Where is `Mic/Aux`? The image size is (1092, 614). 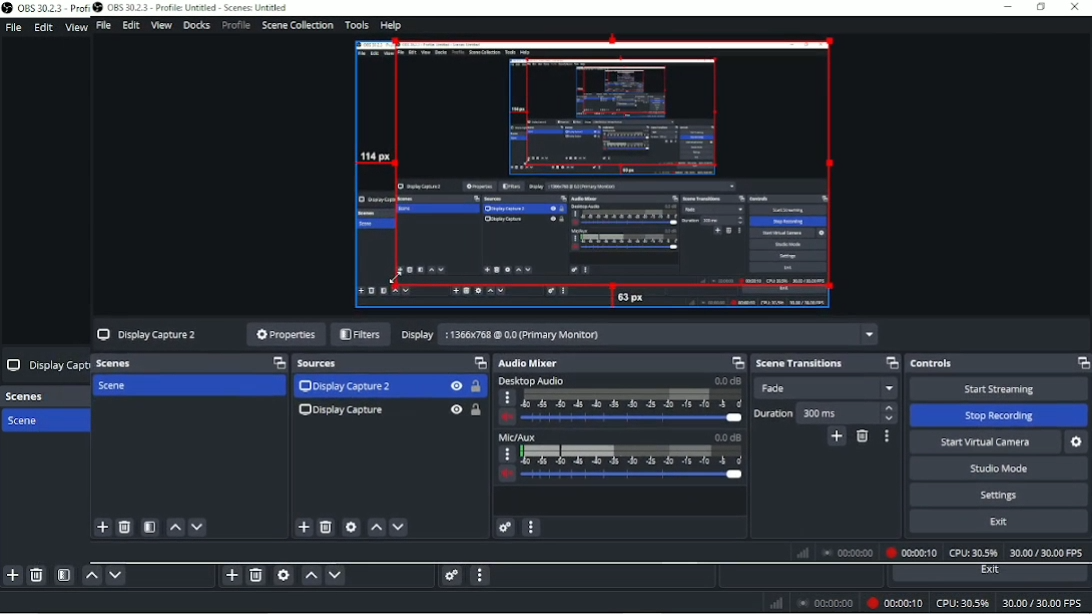
Mic/Aux is located at coordinates (519, 438).